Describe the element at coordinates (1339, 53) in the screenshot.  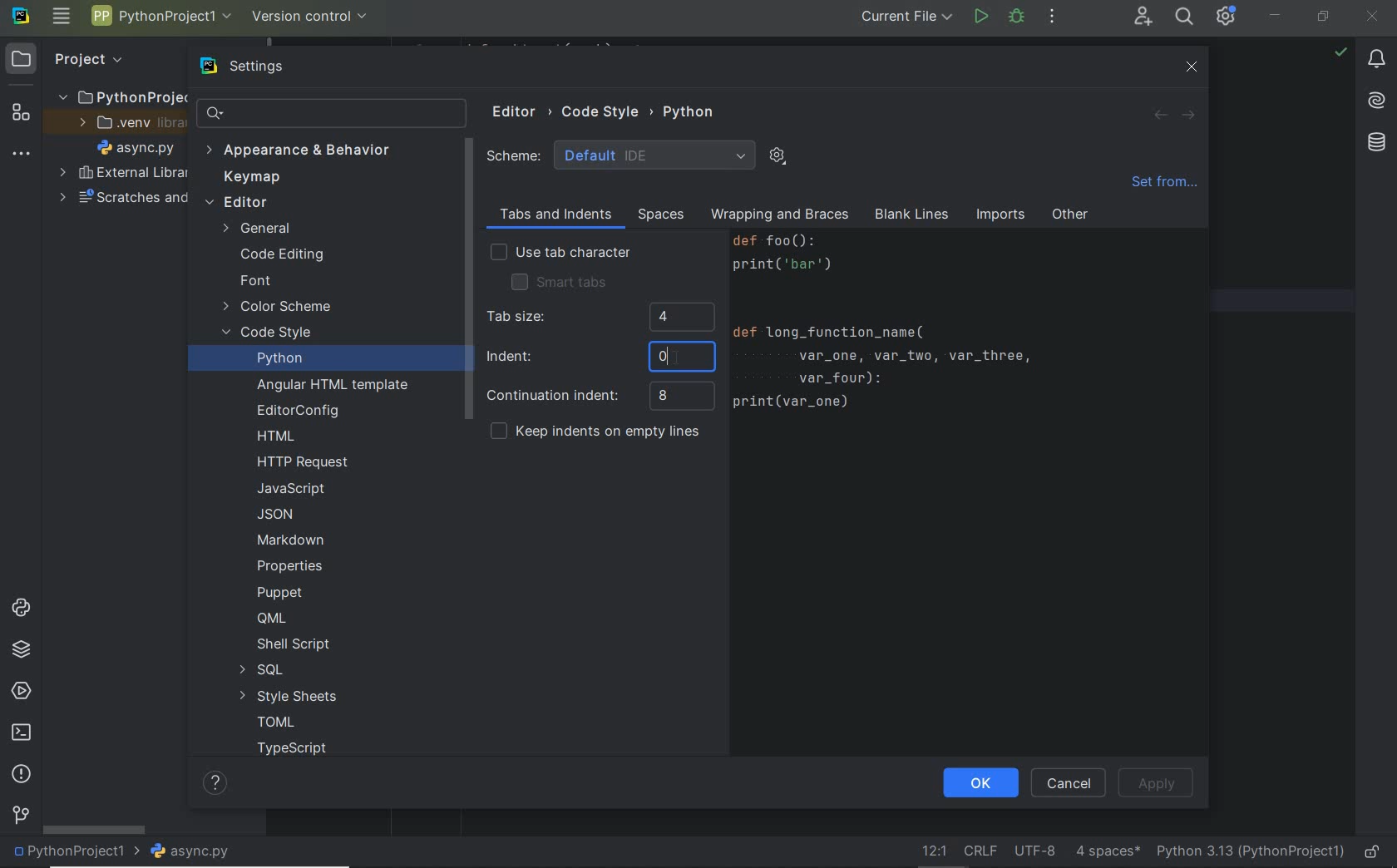
I see `highlight: all problems` at that location.